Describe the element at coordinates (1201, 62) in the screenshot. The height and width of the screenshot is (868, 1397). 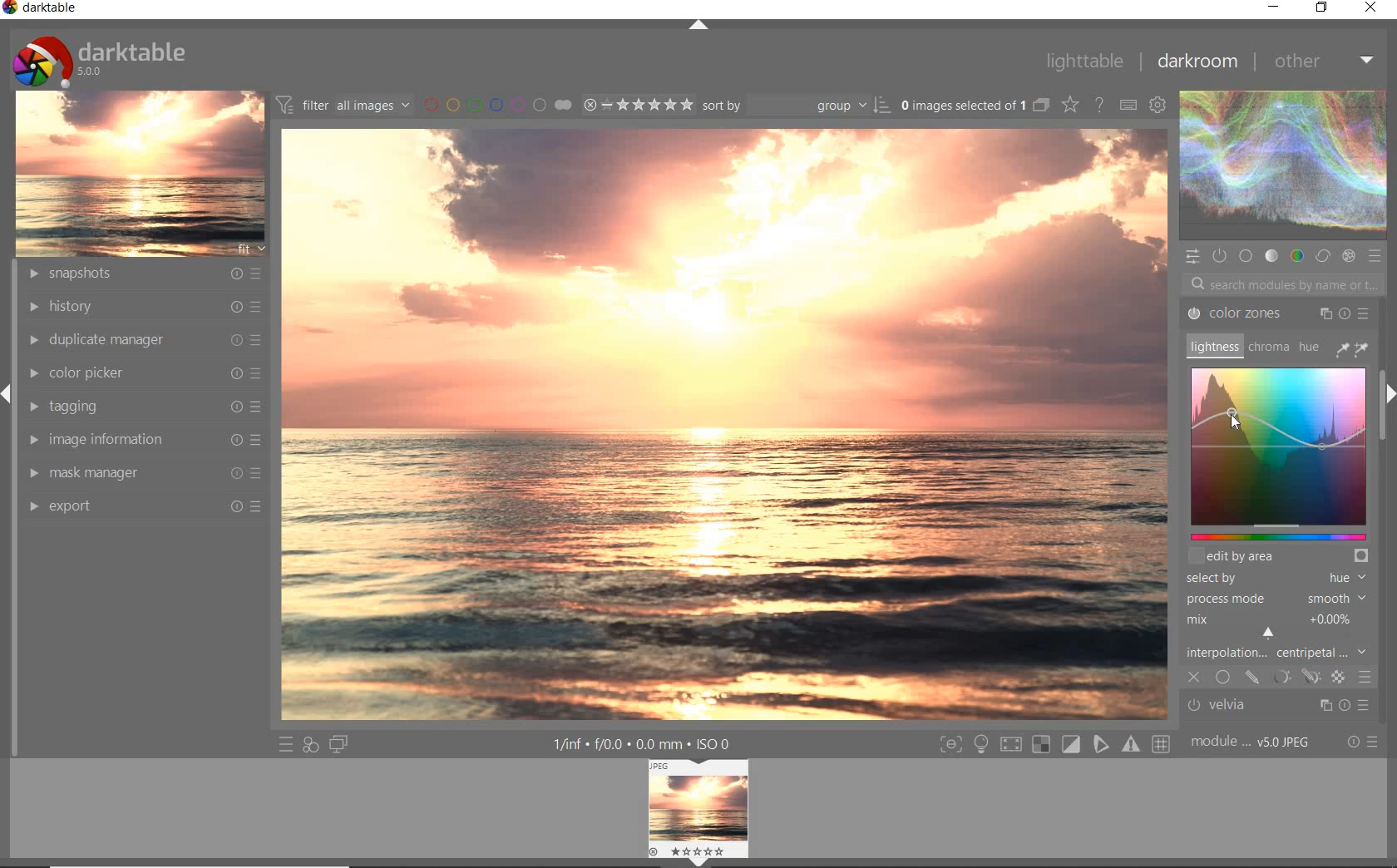
I see `darkroom` at that location.